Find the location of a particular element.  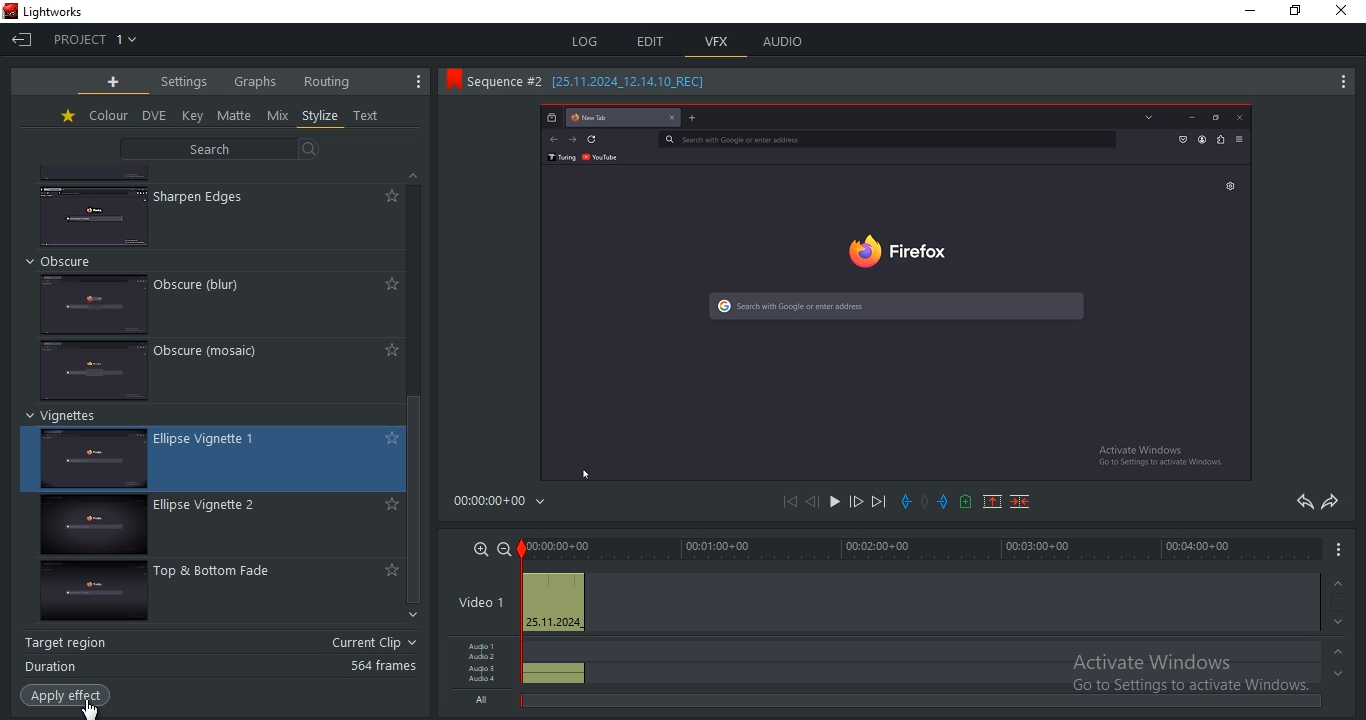

Audio clip is located at coordinates (556, 681).